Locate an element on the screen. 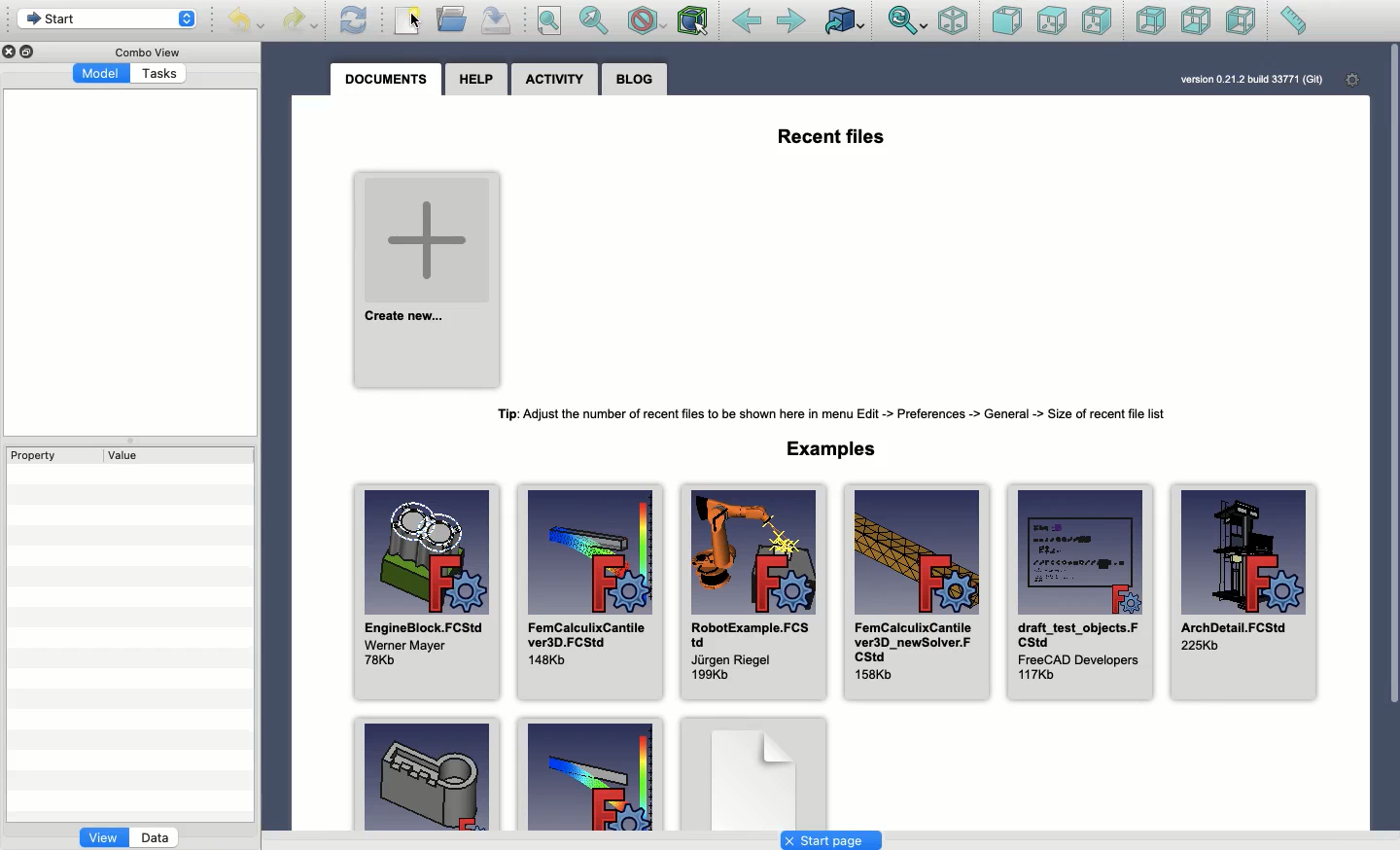 The width and height of the screenshot is (1400, 850). New is located at coordinates (409, 20).